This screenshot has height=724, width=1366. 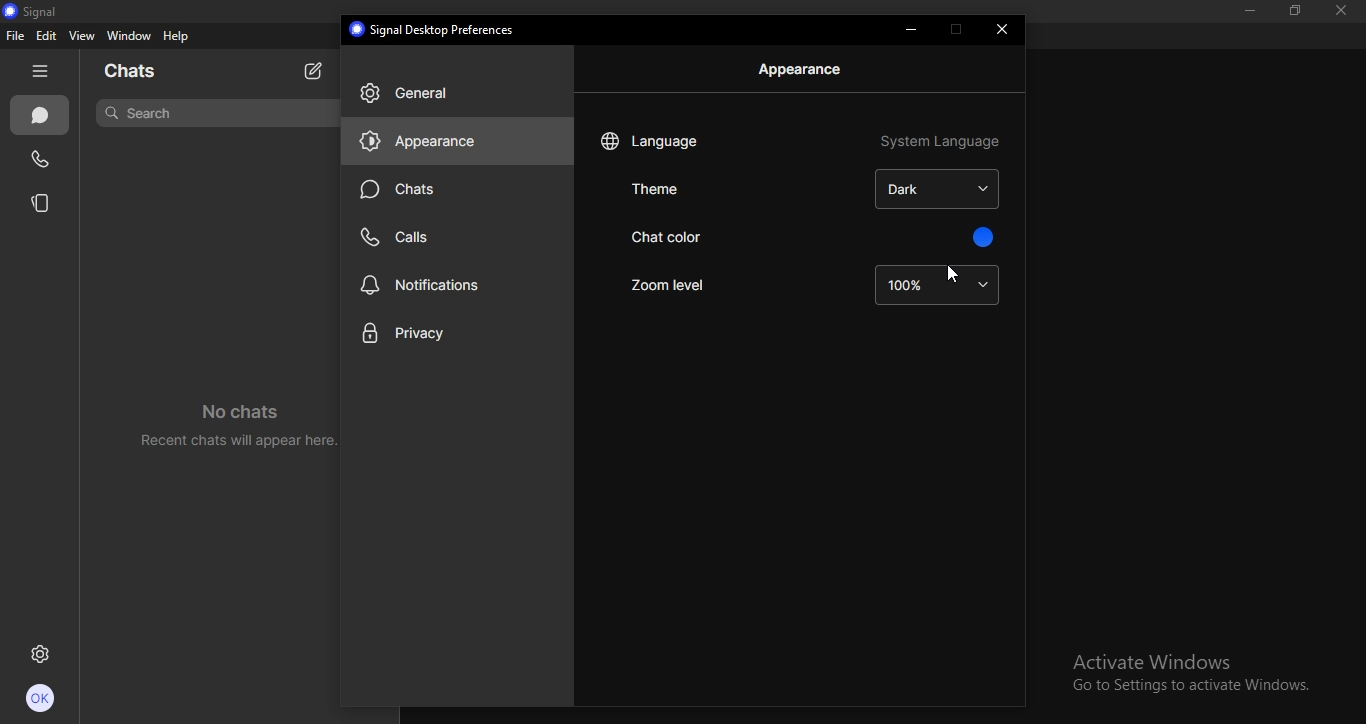 What do you see at coordinates (412, 94) in the screenshot?
I see `general` at bounding box center [412, 94].